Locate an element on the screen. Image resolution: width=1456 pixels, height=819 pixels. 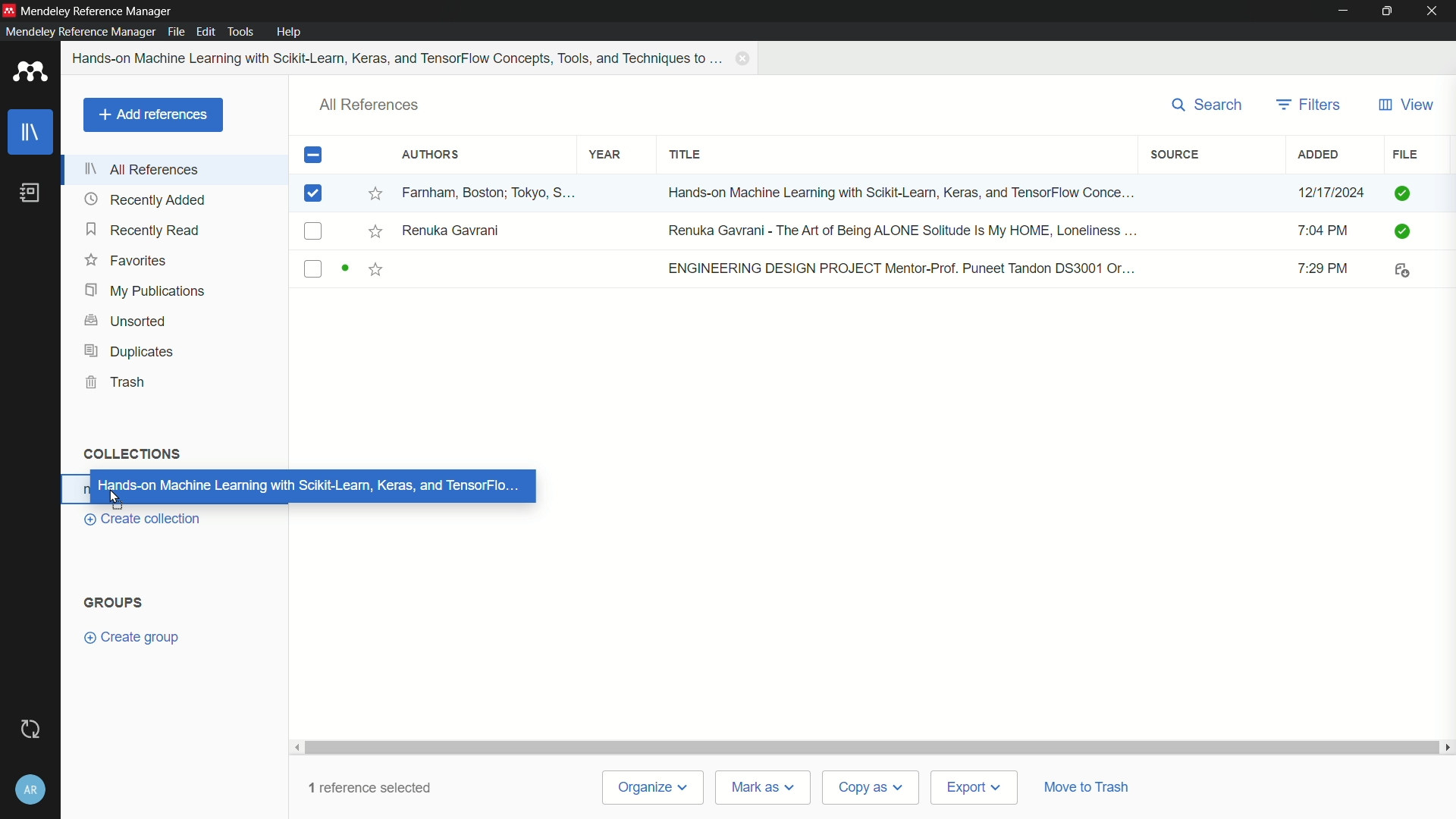
moving reference to collection is located at coordinates (312, 485).